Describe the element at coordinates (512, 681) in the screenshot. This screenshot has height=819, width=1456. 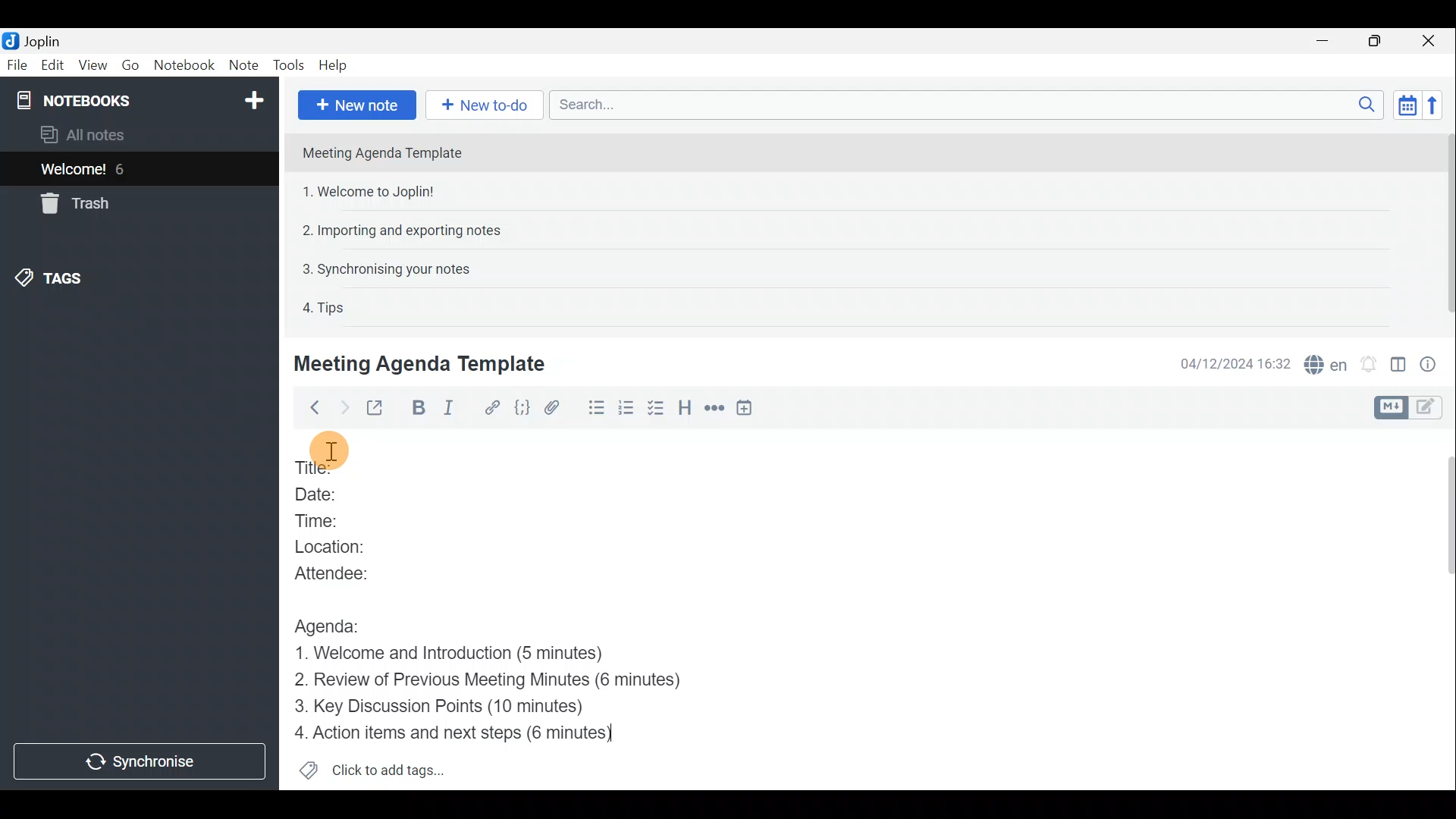
I see `Review of Previous Meeting Minutes (6 minutes)` at that location.